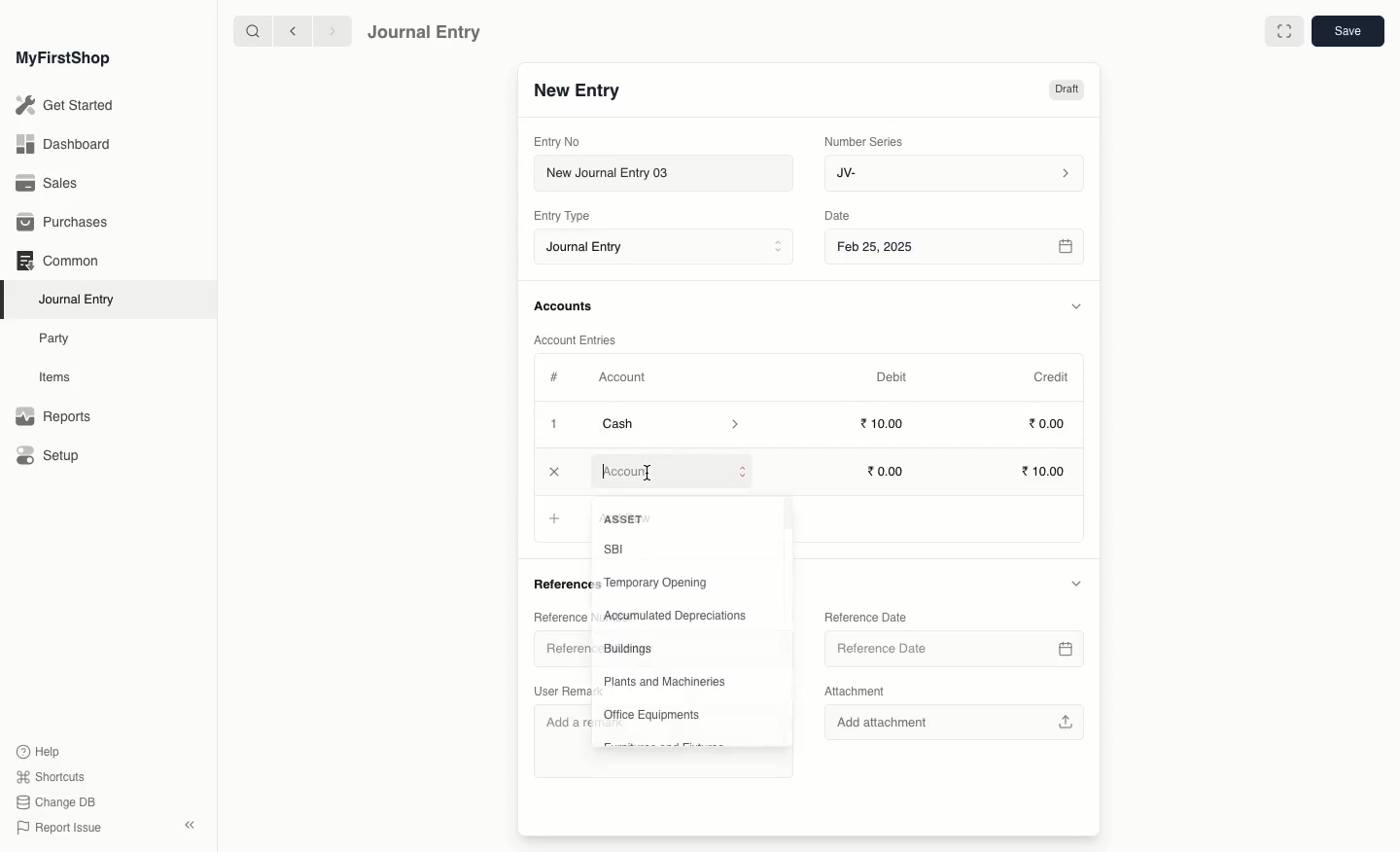 The height and width of the screenshot is (852, 1400). What do you see at coordinates (52, 417) in the screenshot?
I see `Reports` at bounding box center [52, 417].